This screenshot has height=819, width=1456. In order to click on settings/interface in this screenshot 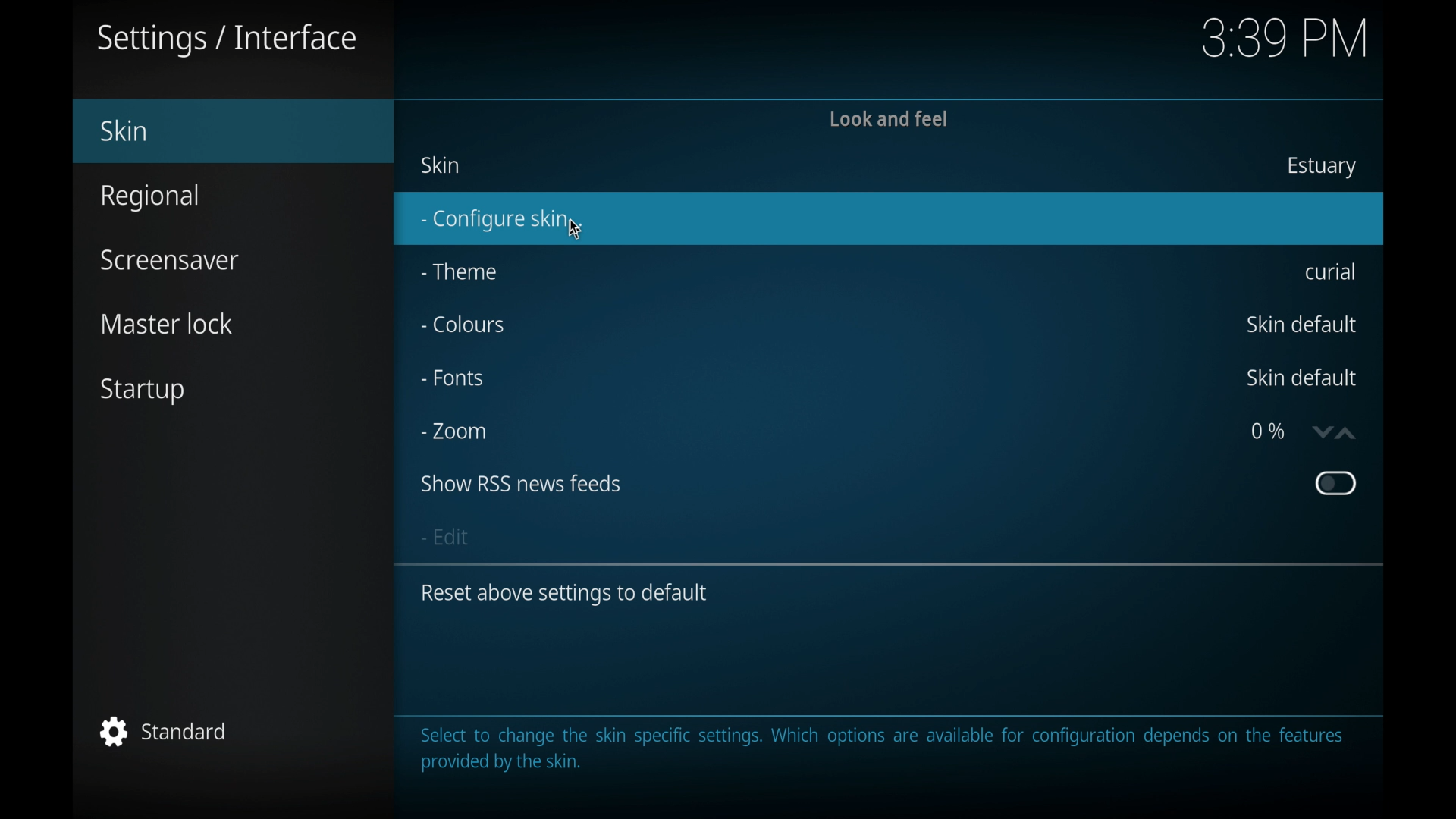, I will do `click(226, 40)`.